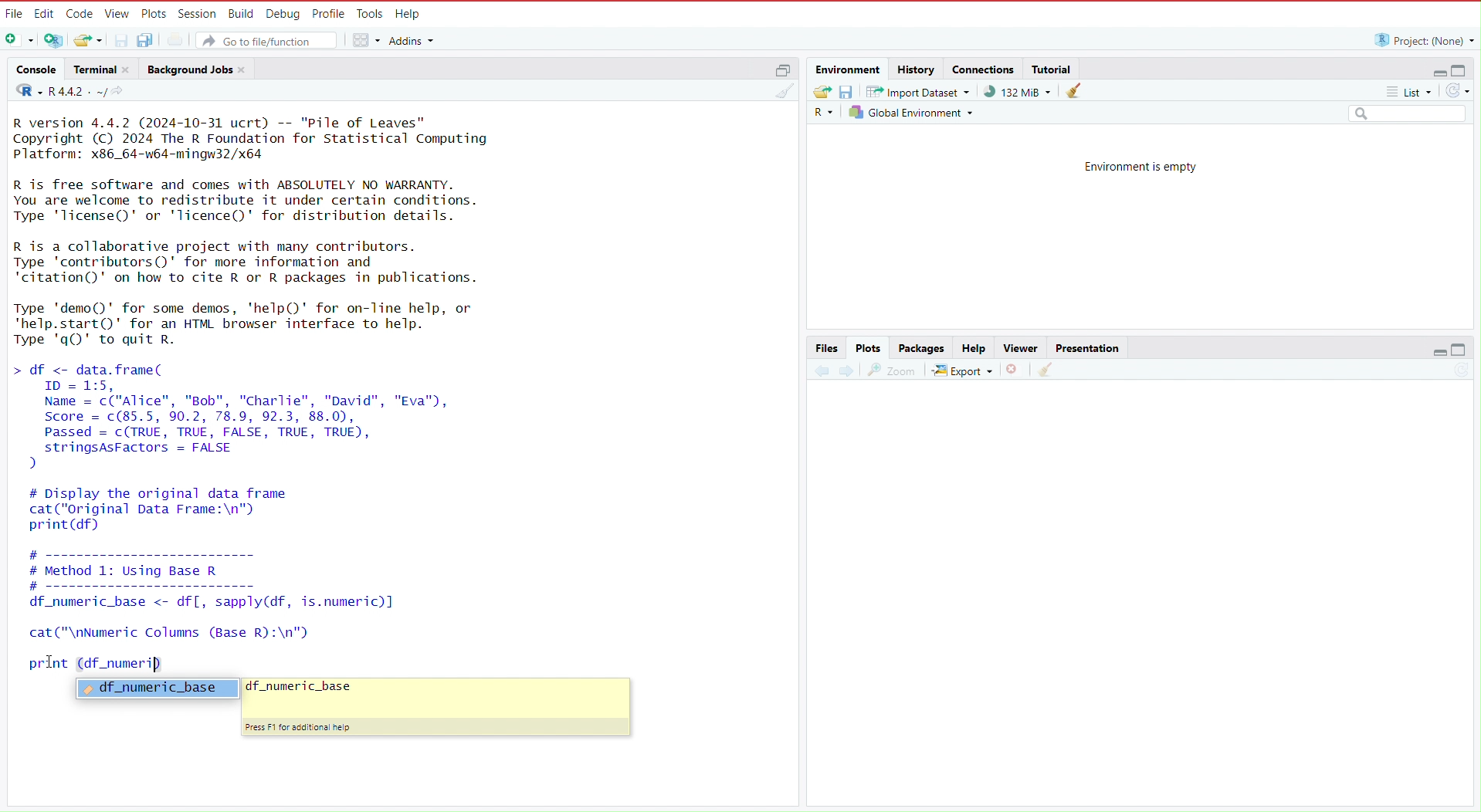 This screenshot has width=1481, height=812. Describe the element at coordinates (866, 349) in the screenshot. I see `Plots` at that location.